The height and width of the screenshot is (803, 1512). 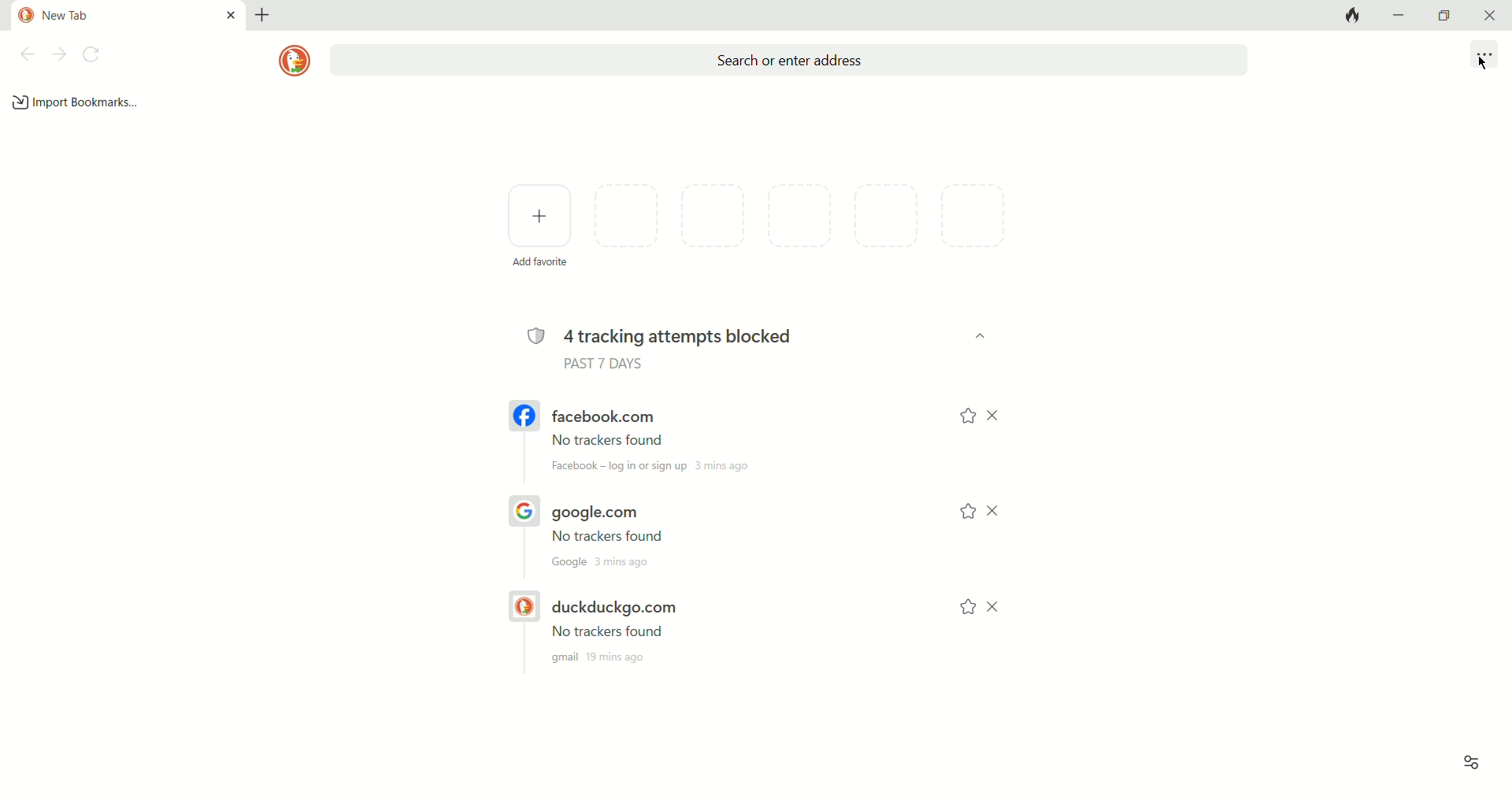 I want to click on next, so click(x=59, y=54).